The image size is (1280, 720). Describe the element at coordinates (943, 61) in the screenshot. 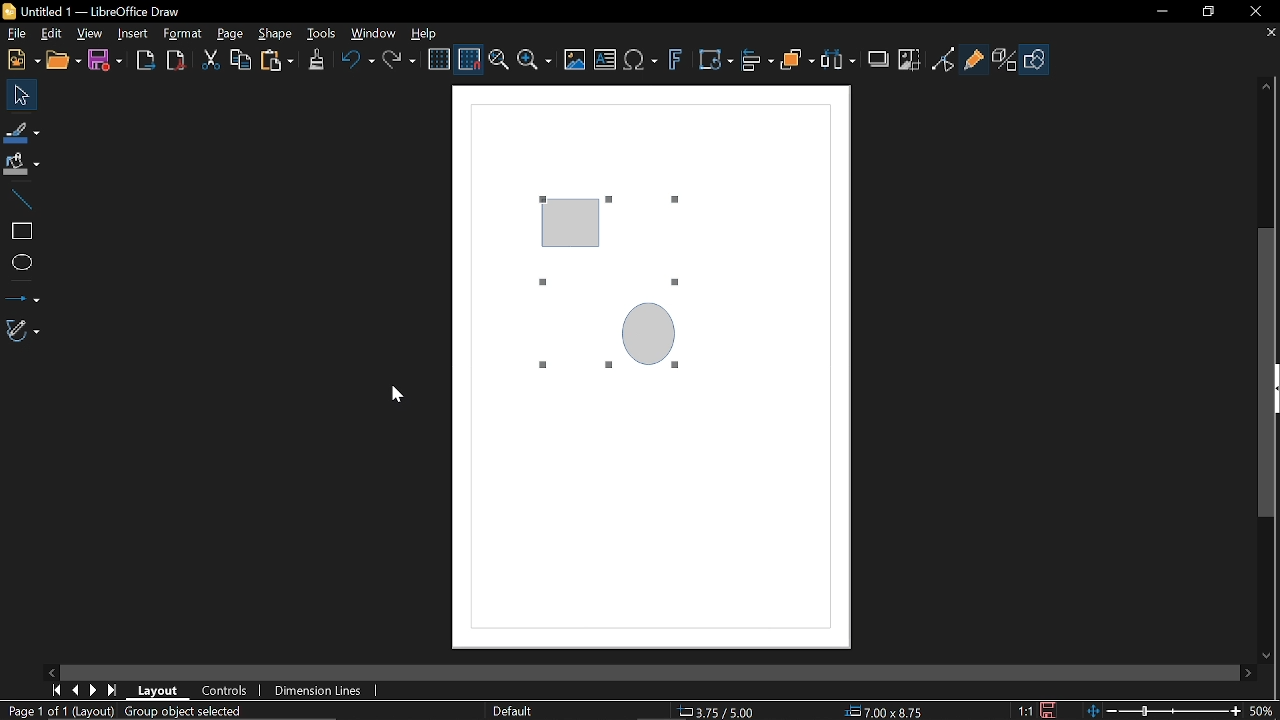

I see `Toggle point of view` at that location.